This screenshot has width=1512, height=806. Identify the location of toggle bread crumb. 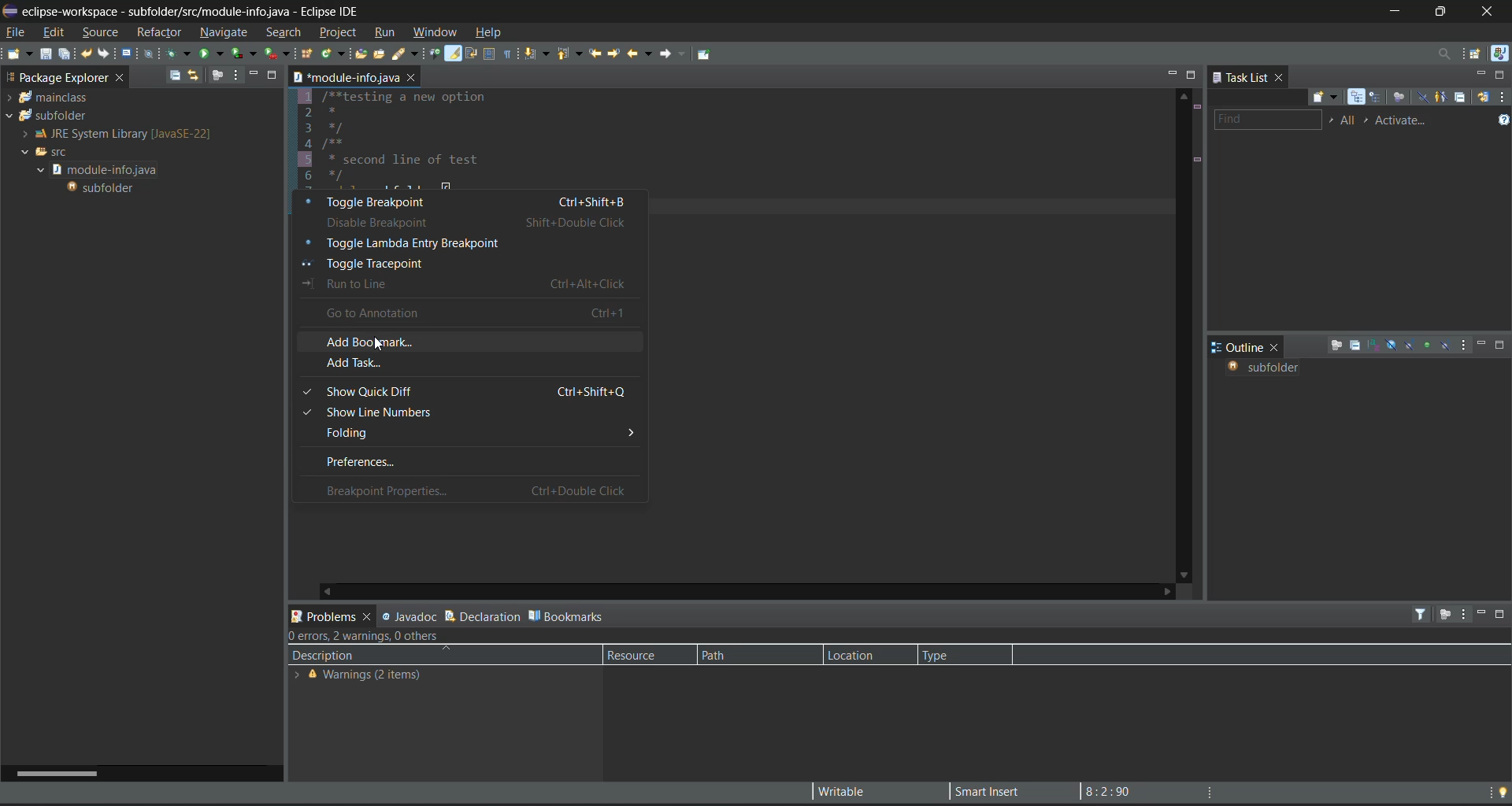
(436, 54).